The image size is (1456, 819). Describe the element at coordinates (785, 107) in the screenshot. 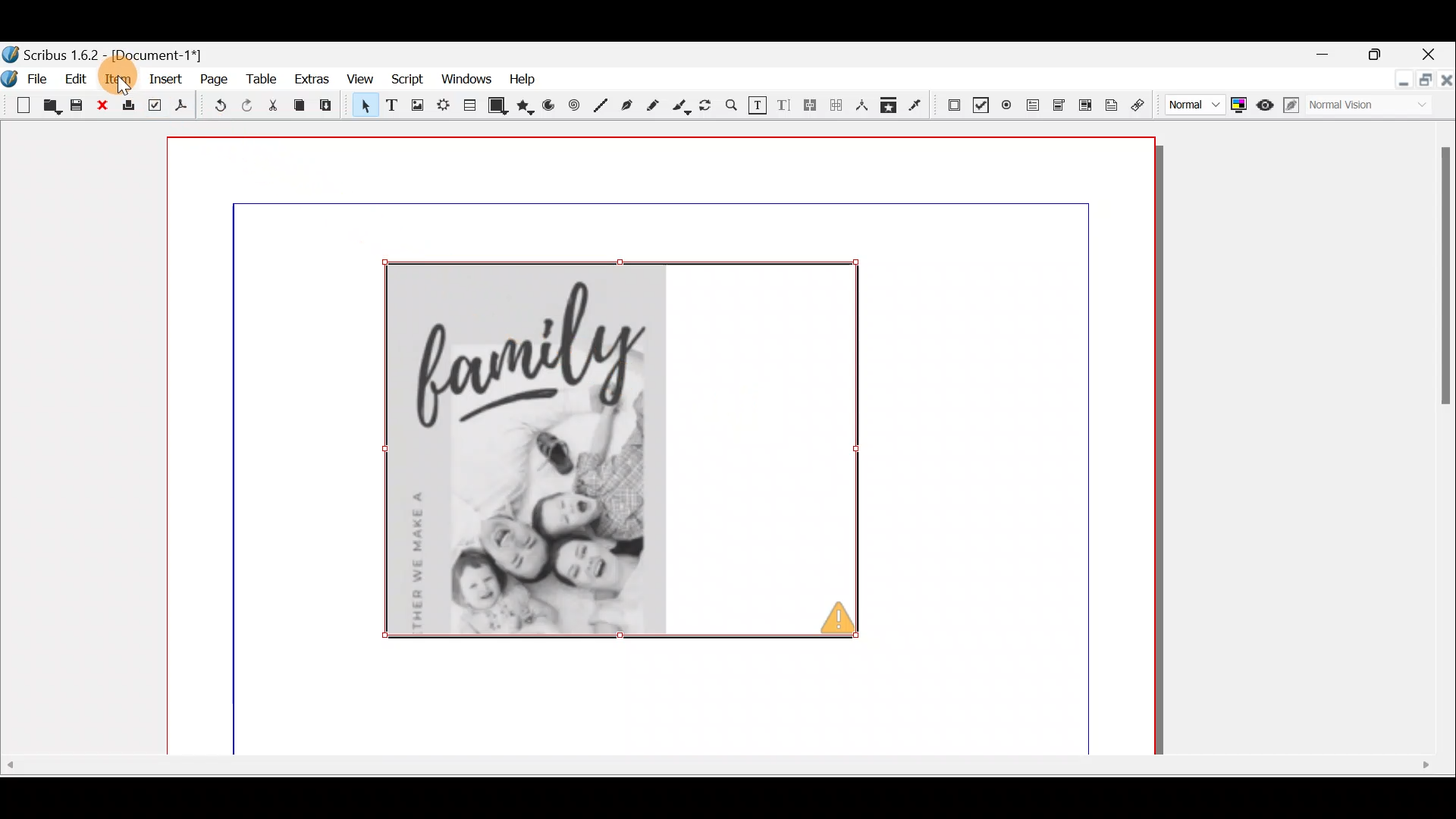

I see `Edit text with story editor` at that location.